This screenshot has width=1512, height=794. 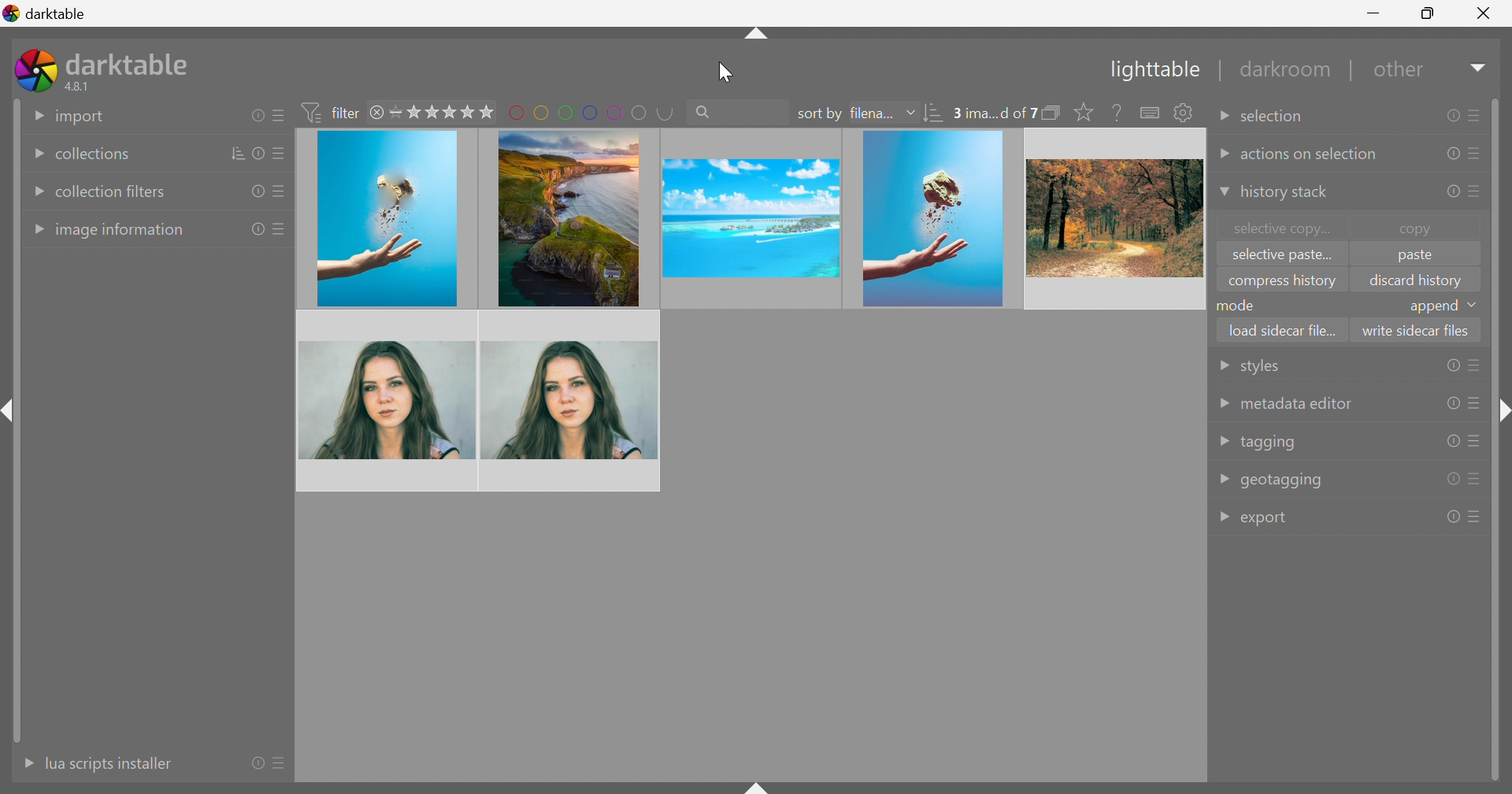 I want to click on Drop Down, so click(x=910, y=112).